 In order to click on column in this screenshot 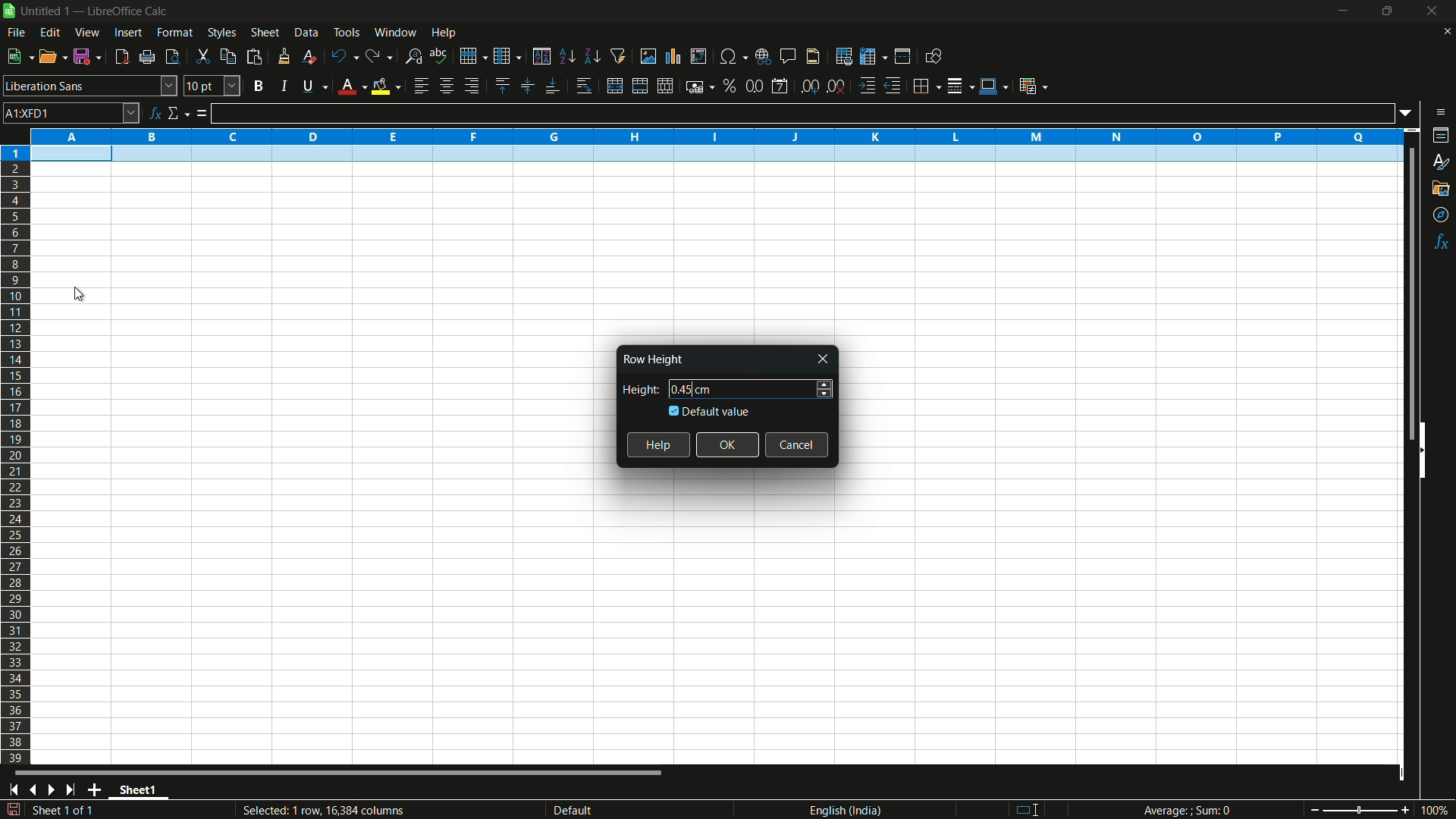, I will do `click(508, 57)`.